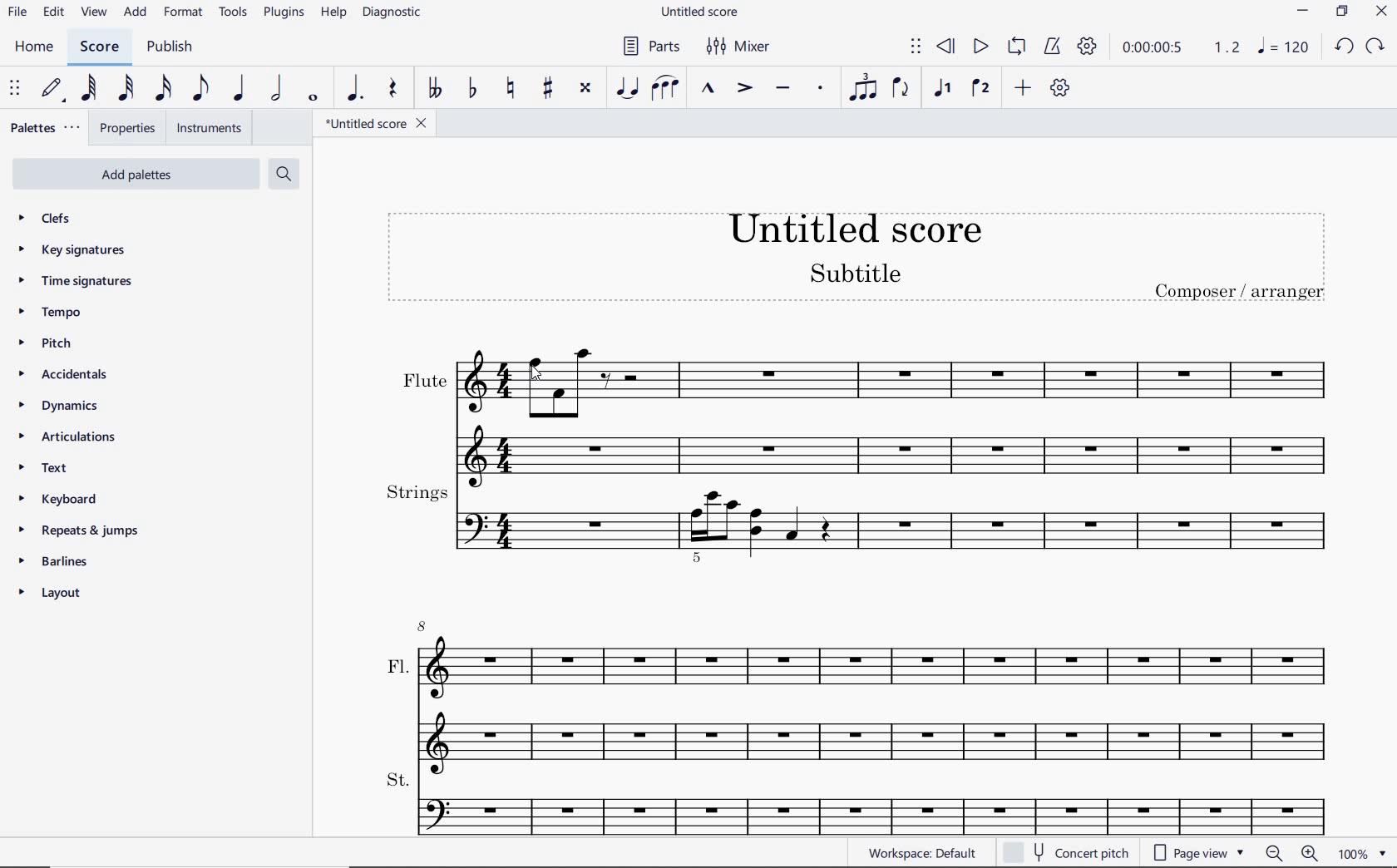 The height and width of the screenshot is (868, 1397). What do you see at coordinates (395, 13) in the screenshot?
I see `DIAGNOSTIC` at bounding box center [395, 13].